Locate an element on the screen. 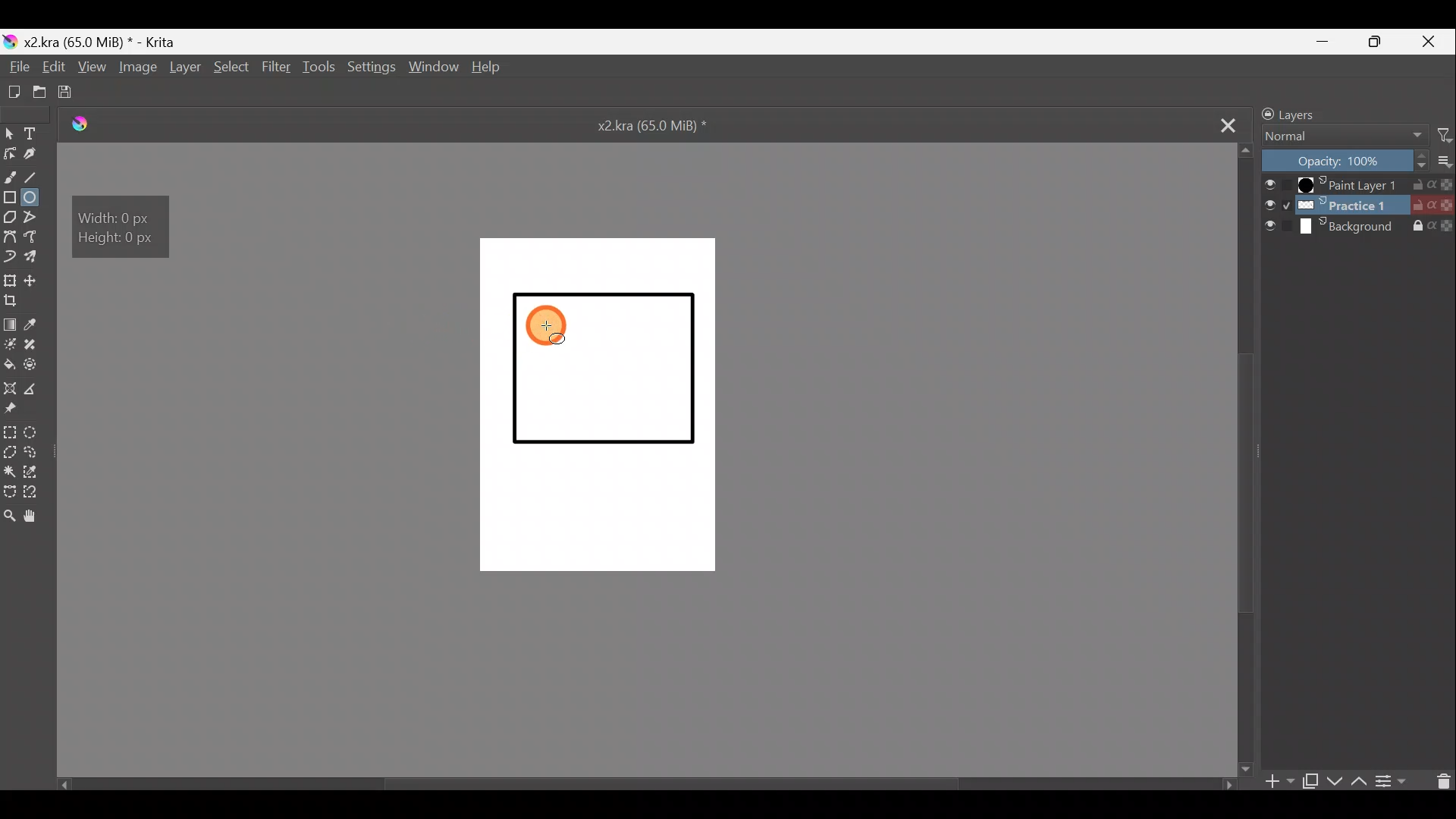  Assistant tool is located at coordinates (11, 386).